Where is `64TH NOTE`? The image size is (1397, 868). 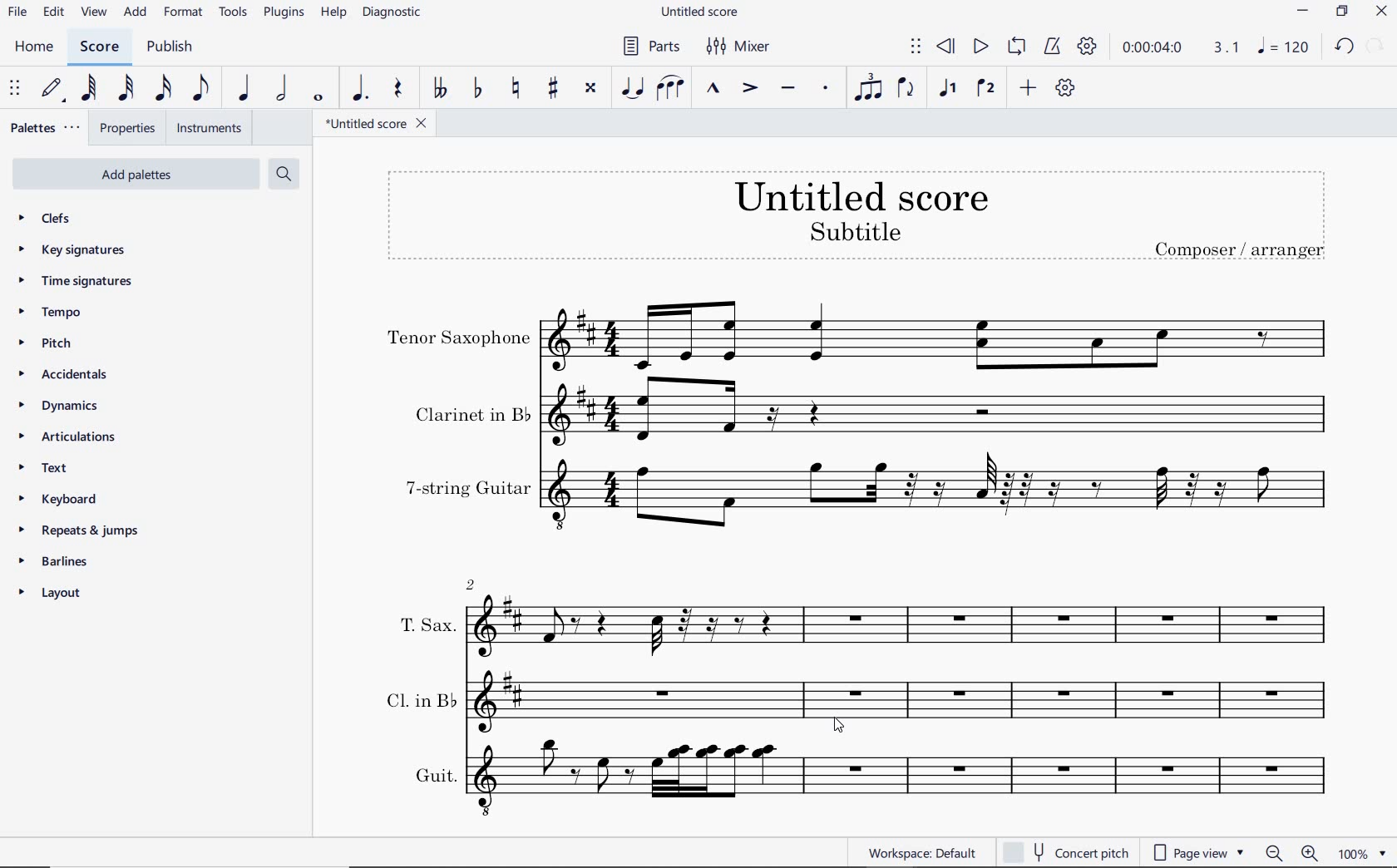
64TH NOTE is located at coordinates (89, 90).